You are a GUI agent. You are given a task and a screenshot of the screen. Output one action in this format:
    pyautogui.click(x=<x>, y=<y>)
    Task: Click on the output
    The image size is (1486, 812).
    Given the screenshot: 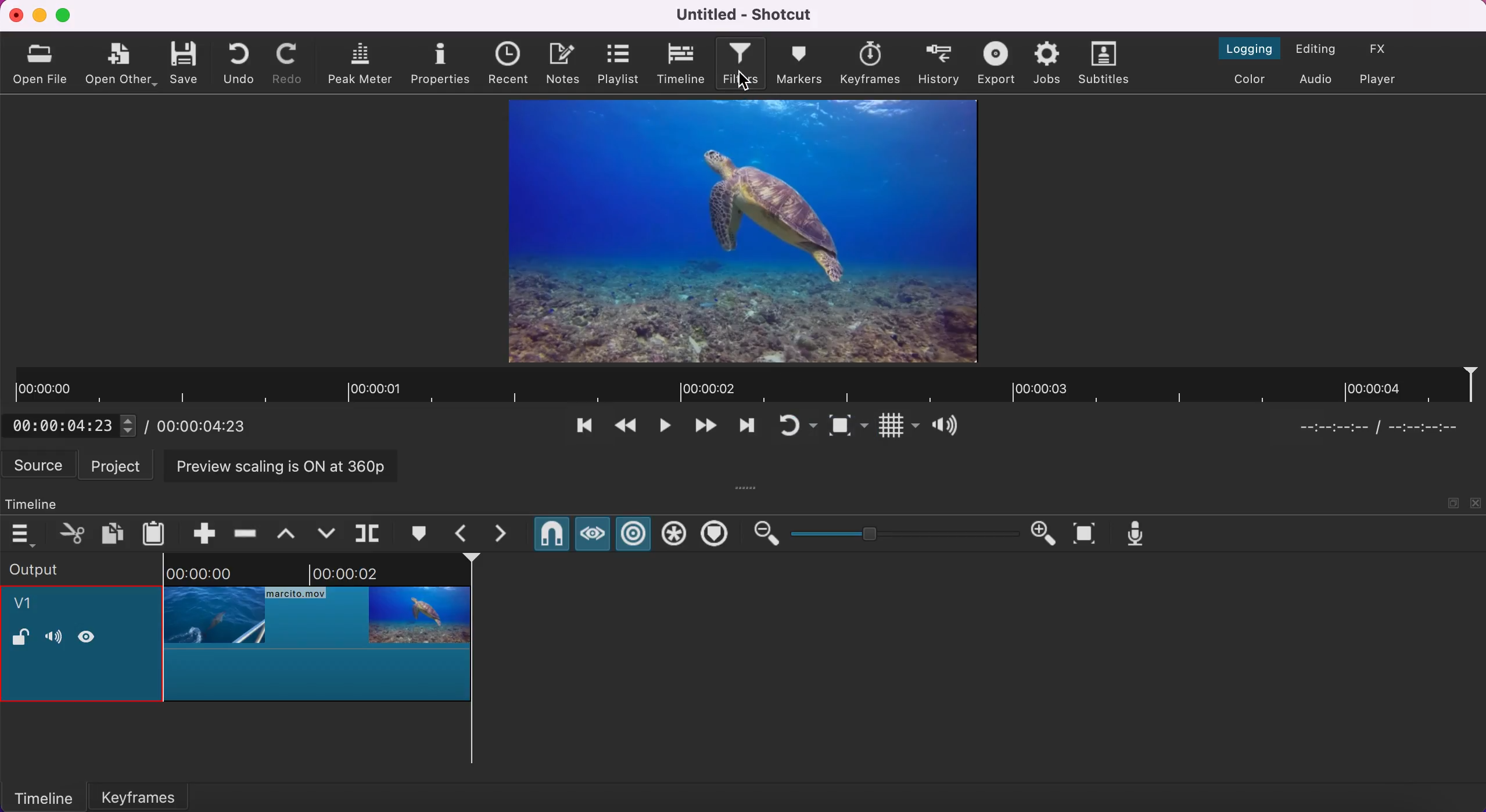 What is the action you would take?
    pyautogui.click(x=65, y=568)
    